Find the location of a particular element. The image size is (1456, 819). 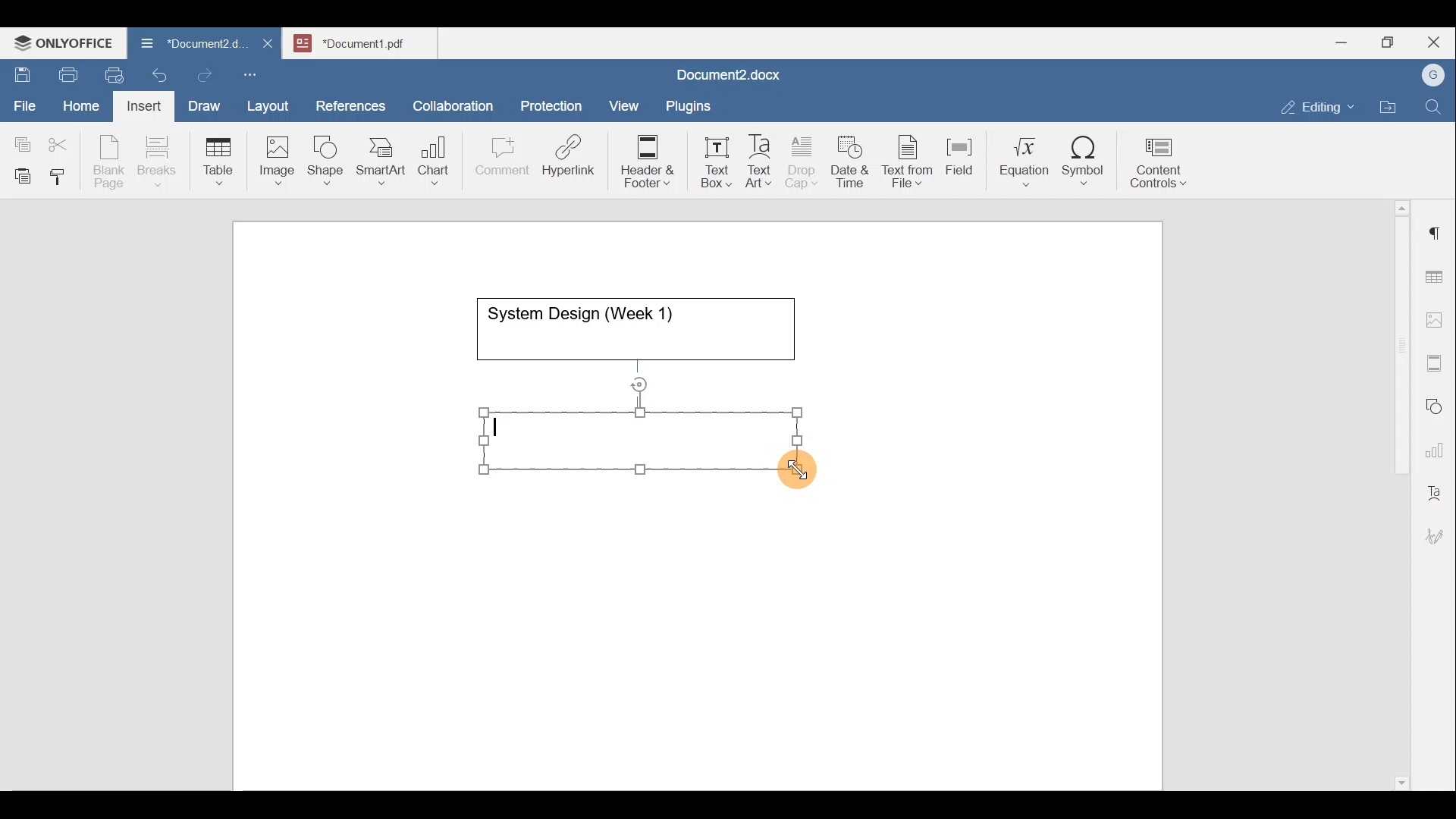

File is located at coordinates (26, 101).